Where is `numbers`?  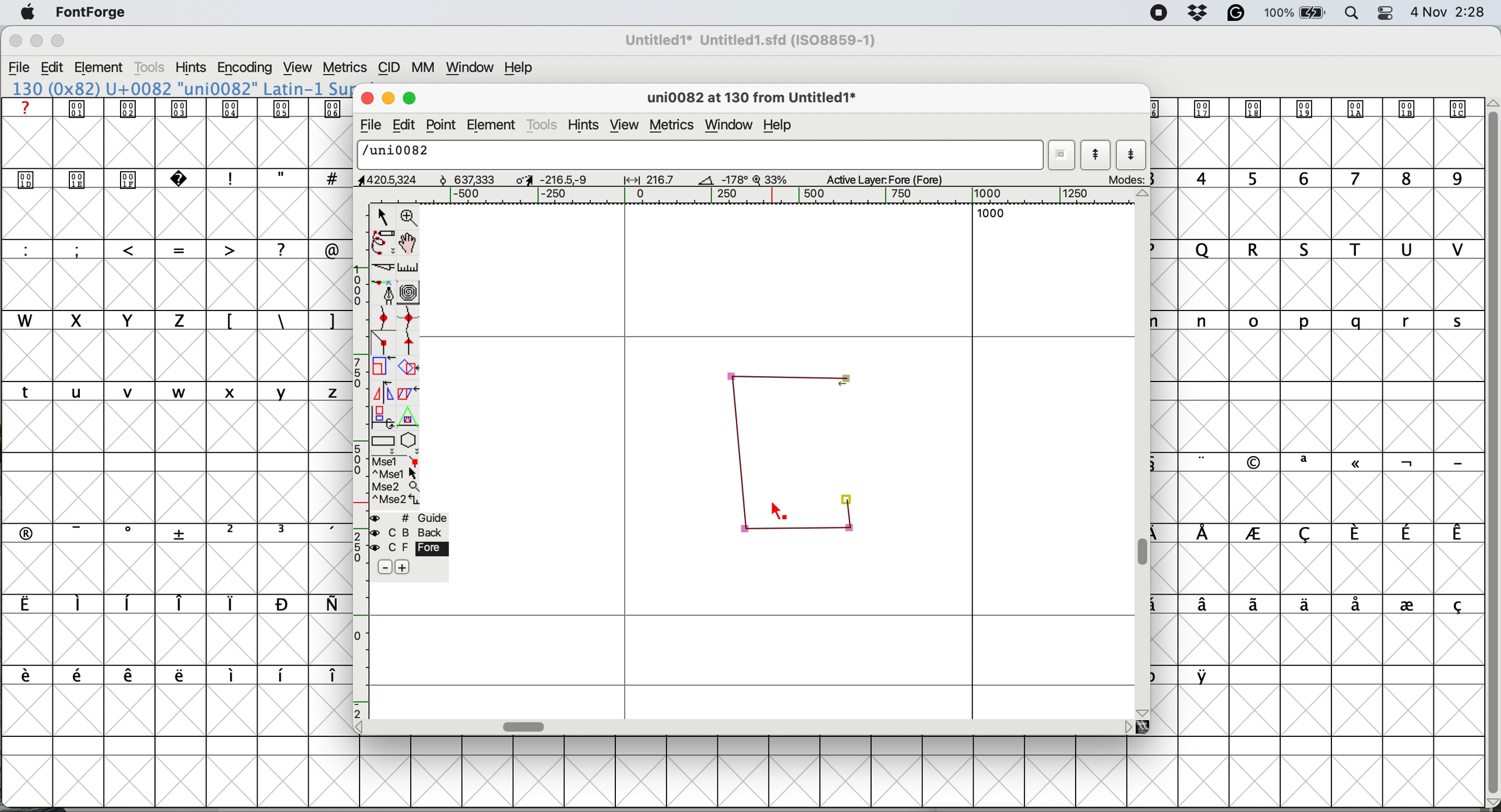 numbers is located at coordinates (1320, 178).